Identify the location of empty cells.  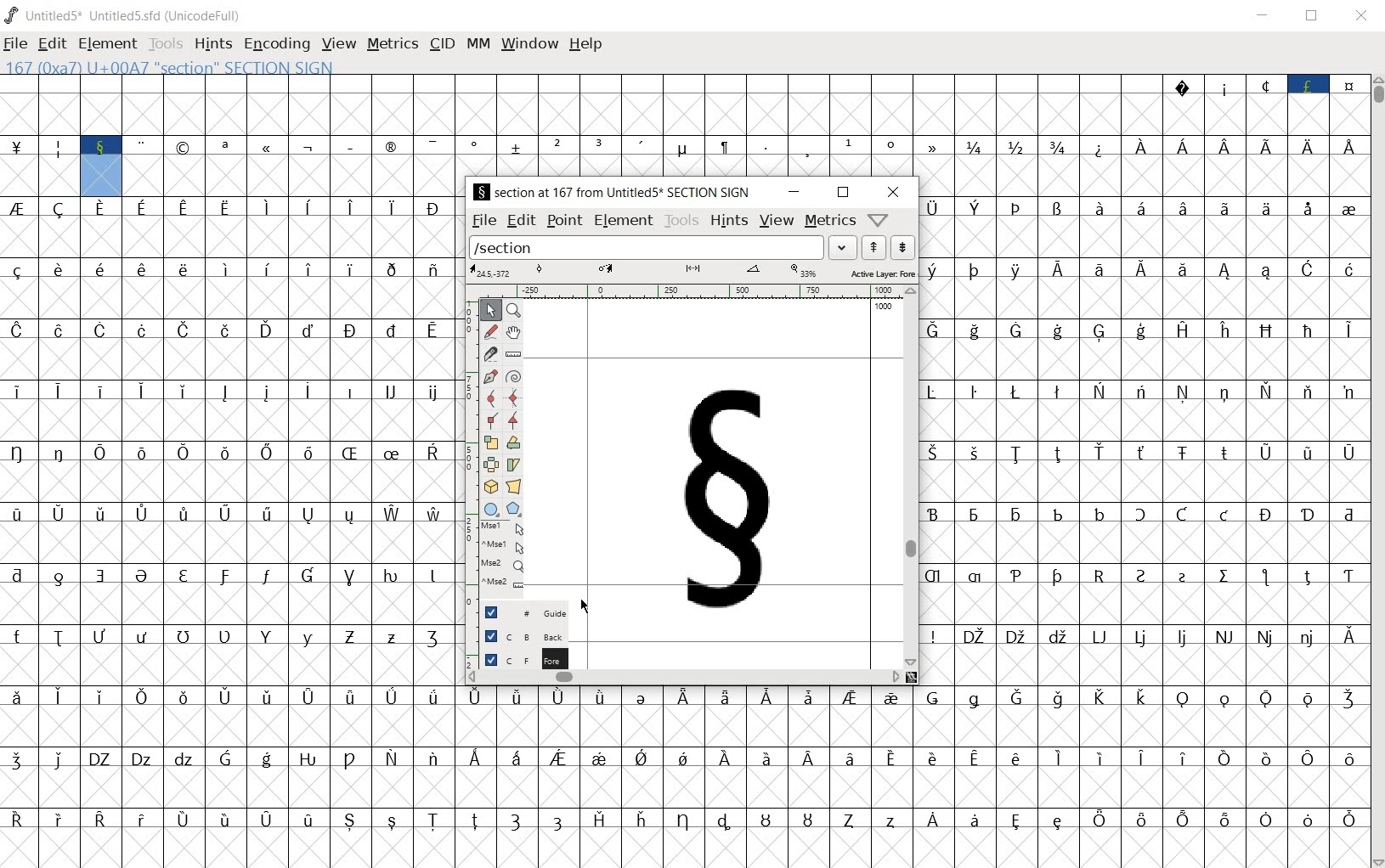
(231, 238).